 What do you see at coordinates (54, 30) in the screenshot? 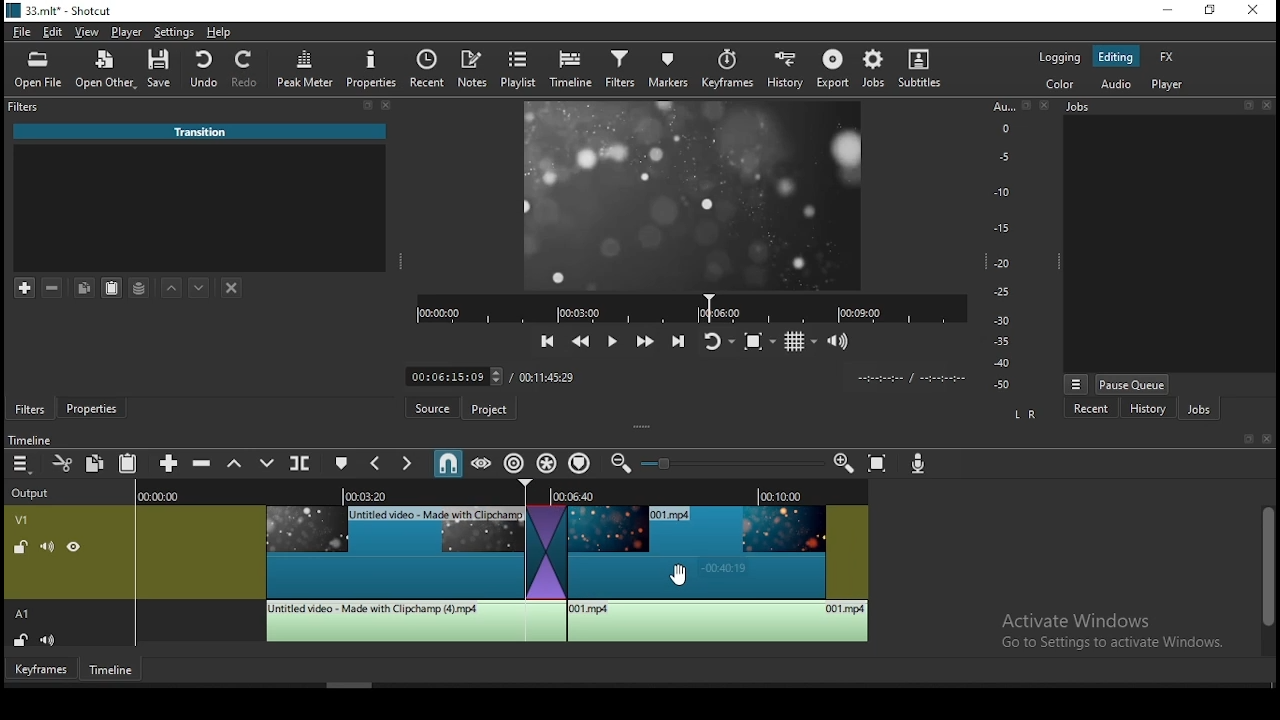
I see `edit` at bounding box center [54, 30].